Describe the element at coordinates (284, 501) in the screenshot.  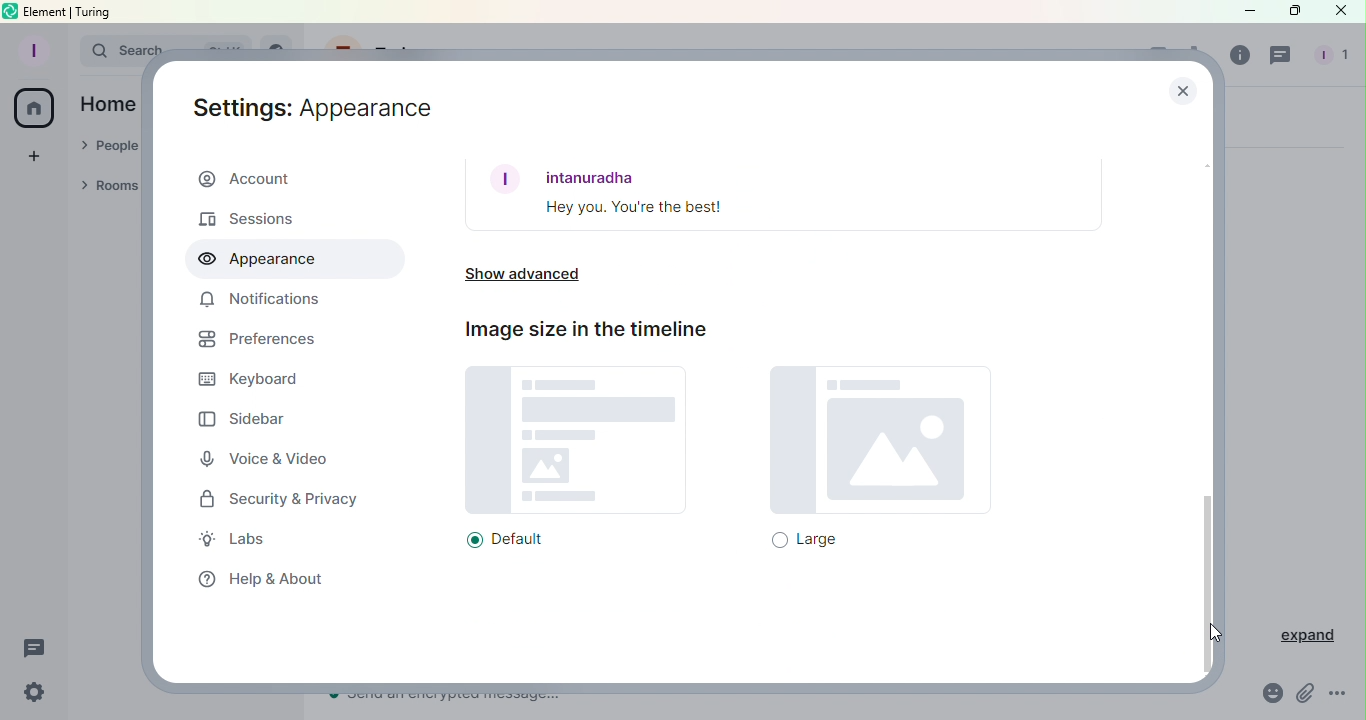
I see `Security and privacy` at that location.